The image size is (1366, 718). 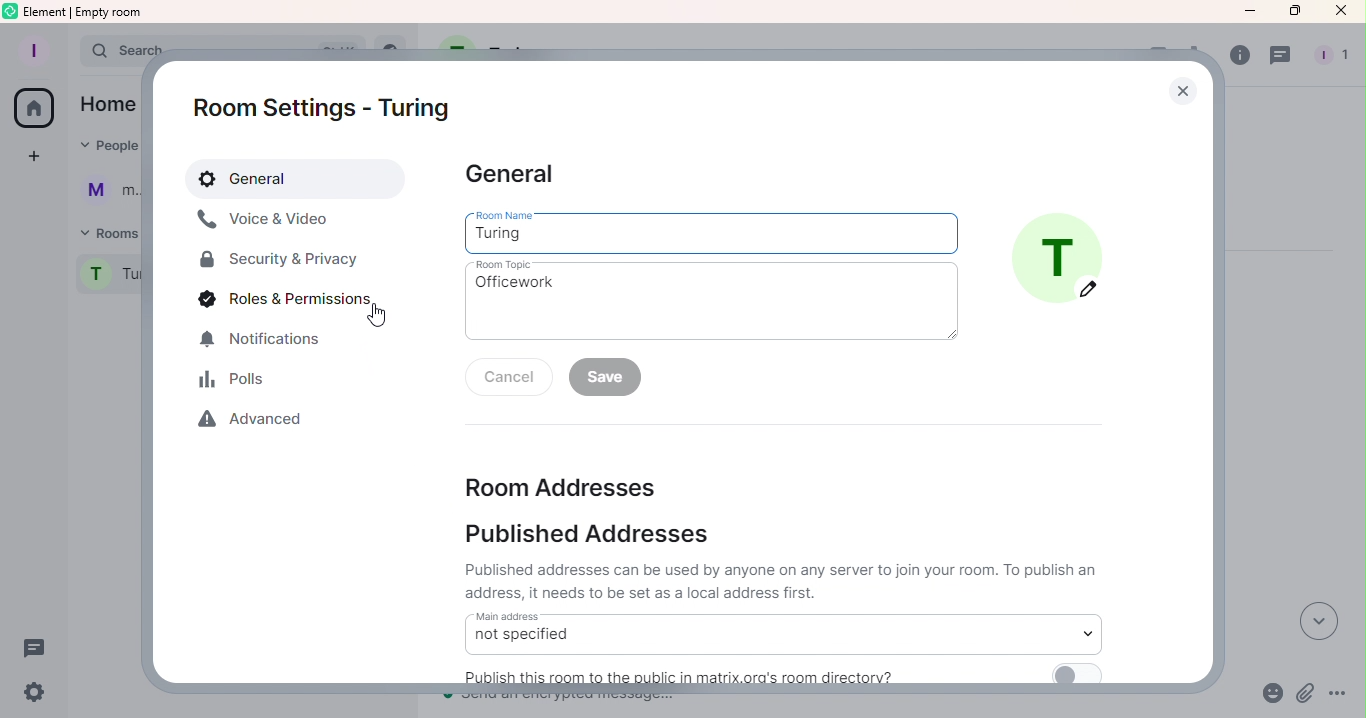 What do you see at coordinates (281, 260) in the screenshot?
I see `Security & Privacy` at bounding box center [281, 260].